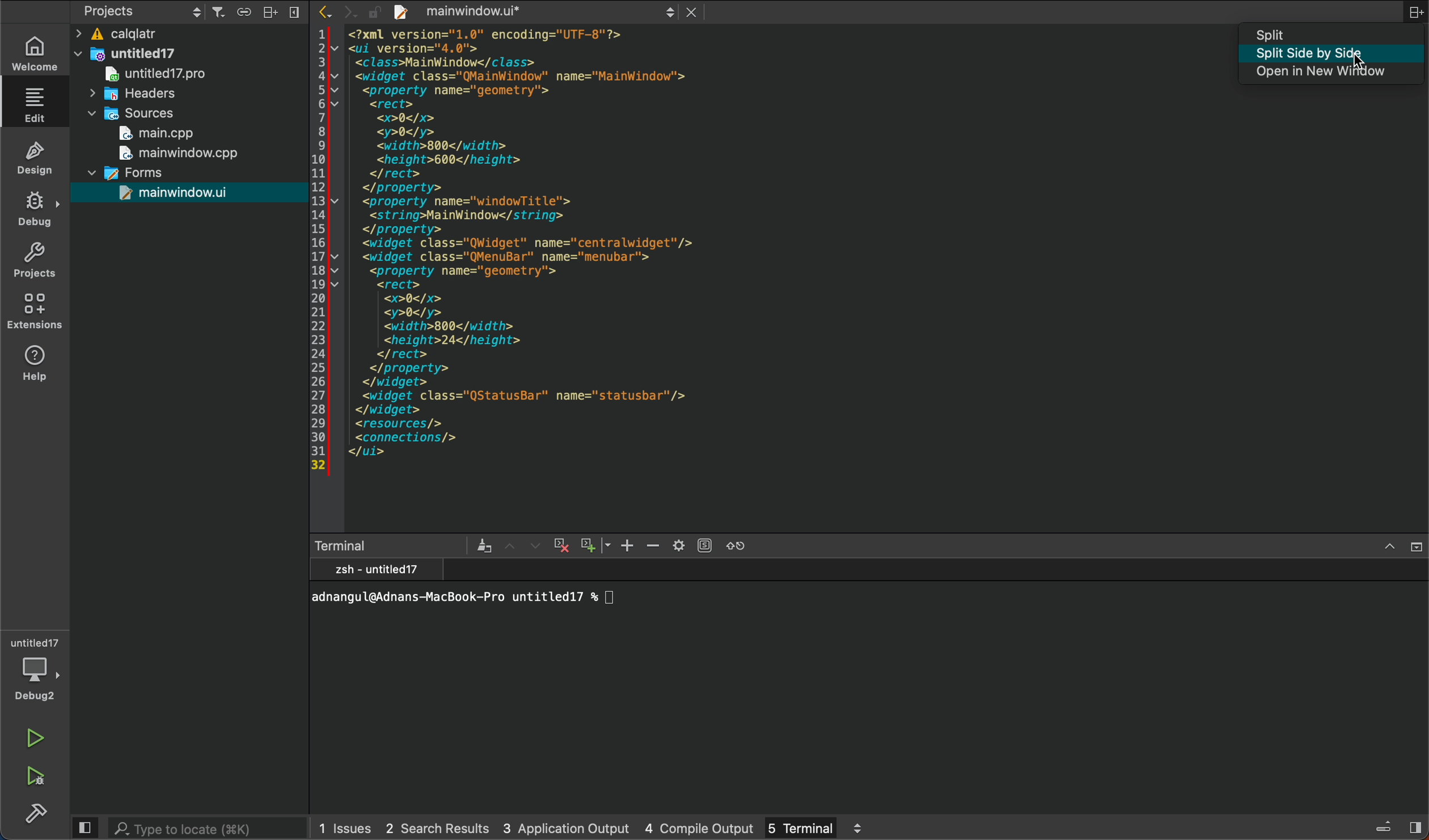  I want to click on cross, so click(559, 546).